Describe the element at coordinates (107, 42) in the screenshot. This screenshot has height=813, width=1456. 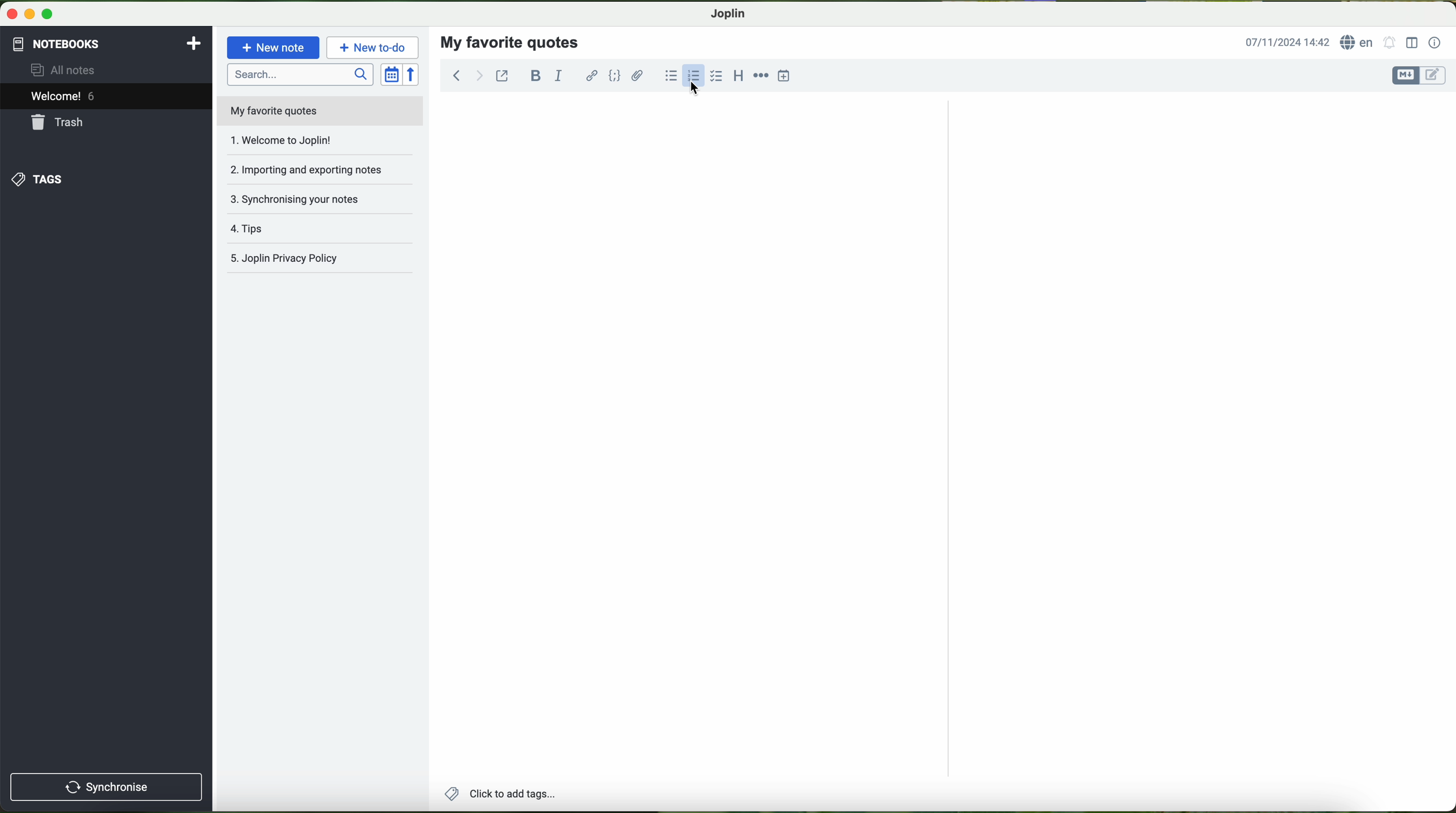
I see `notebooks` at that location.